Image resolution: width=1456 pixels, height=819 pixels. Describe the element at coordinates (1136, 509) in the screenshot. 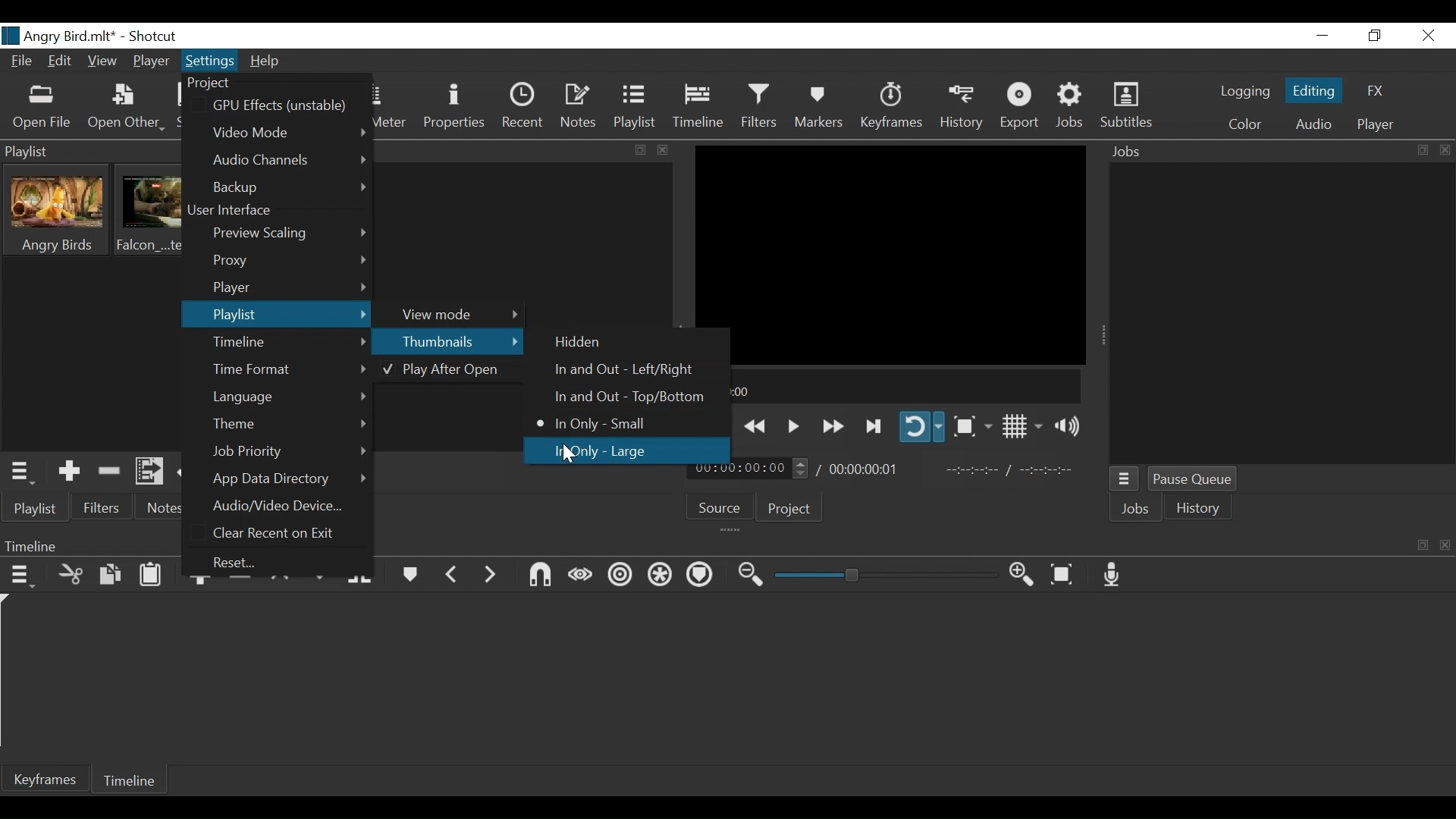

I see `Jobs` at that location.